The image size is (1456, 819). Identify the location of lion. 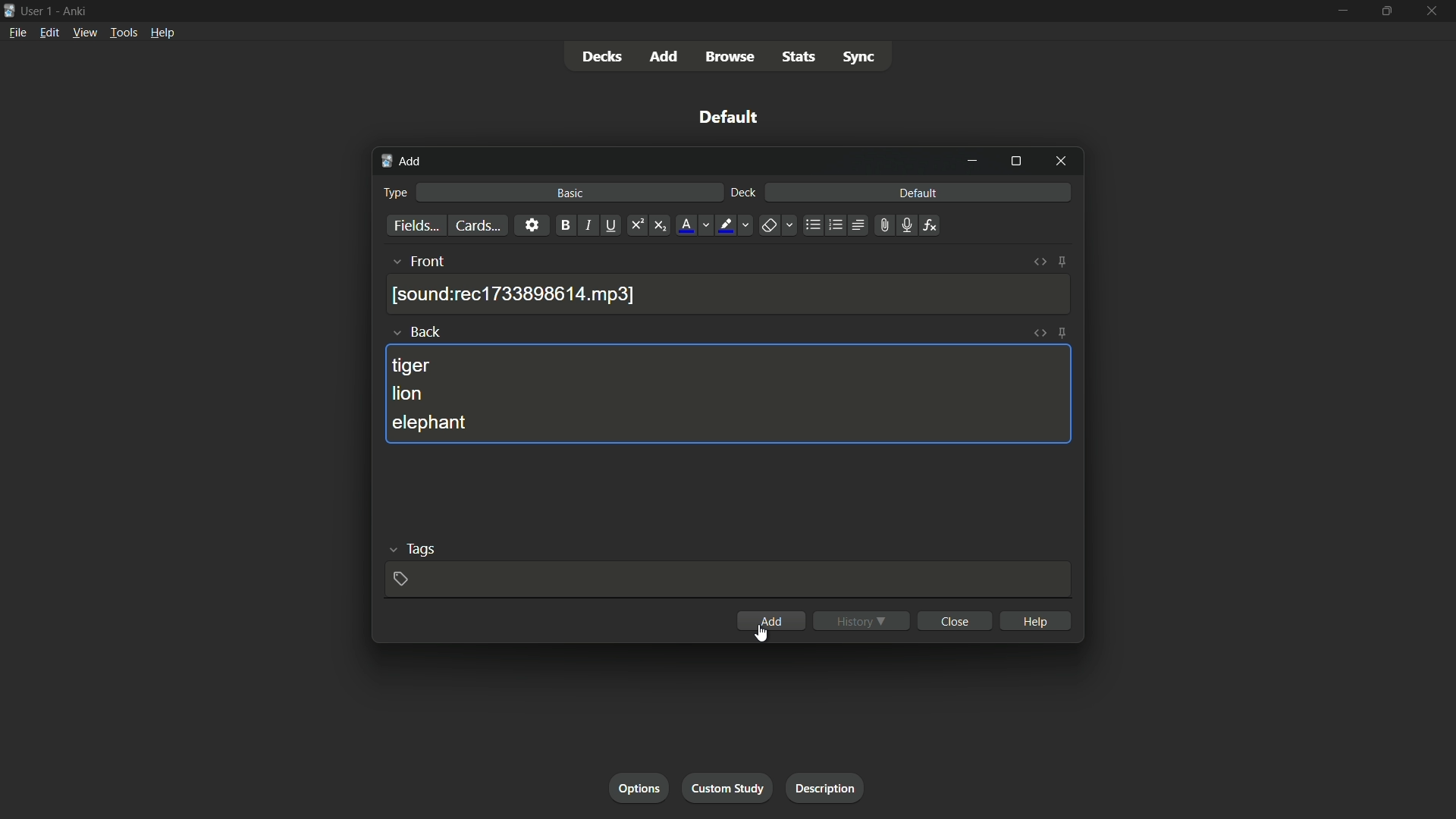
(412, 395).